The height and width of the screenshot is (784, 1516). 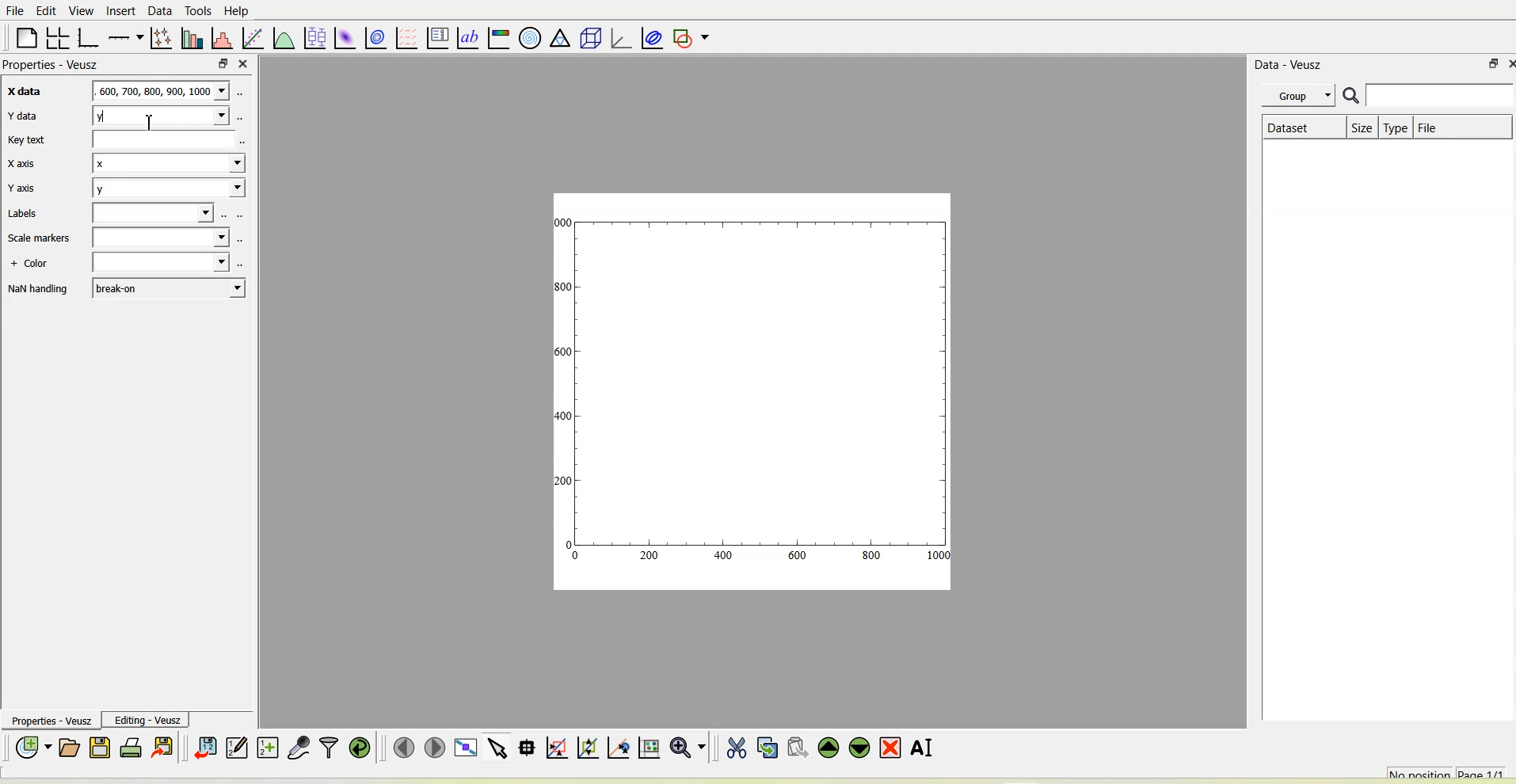 What do you see at coordinates (1304, 126) in the screenshot?
I see `Dataset` at bounding box center [1304, 126].